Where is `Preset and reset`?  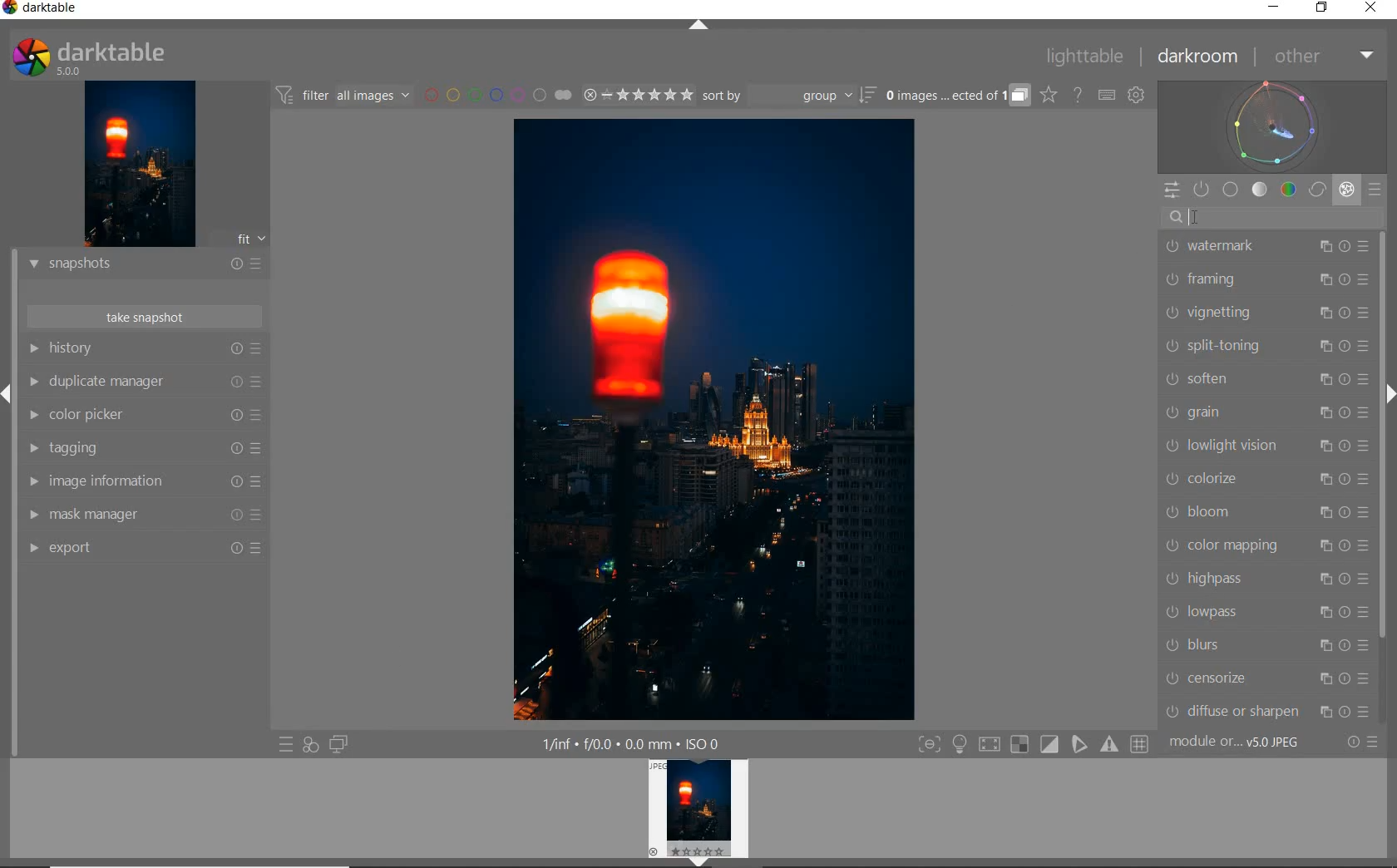 Preset and reset is located at coordinates (1363, 579).